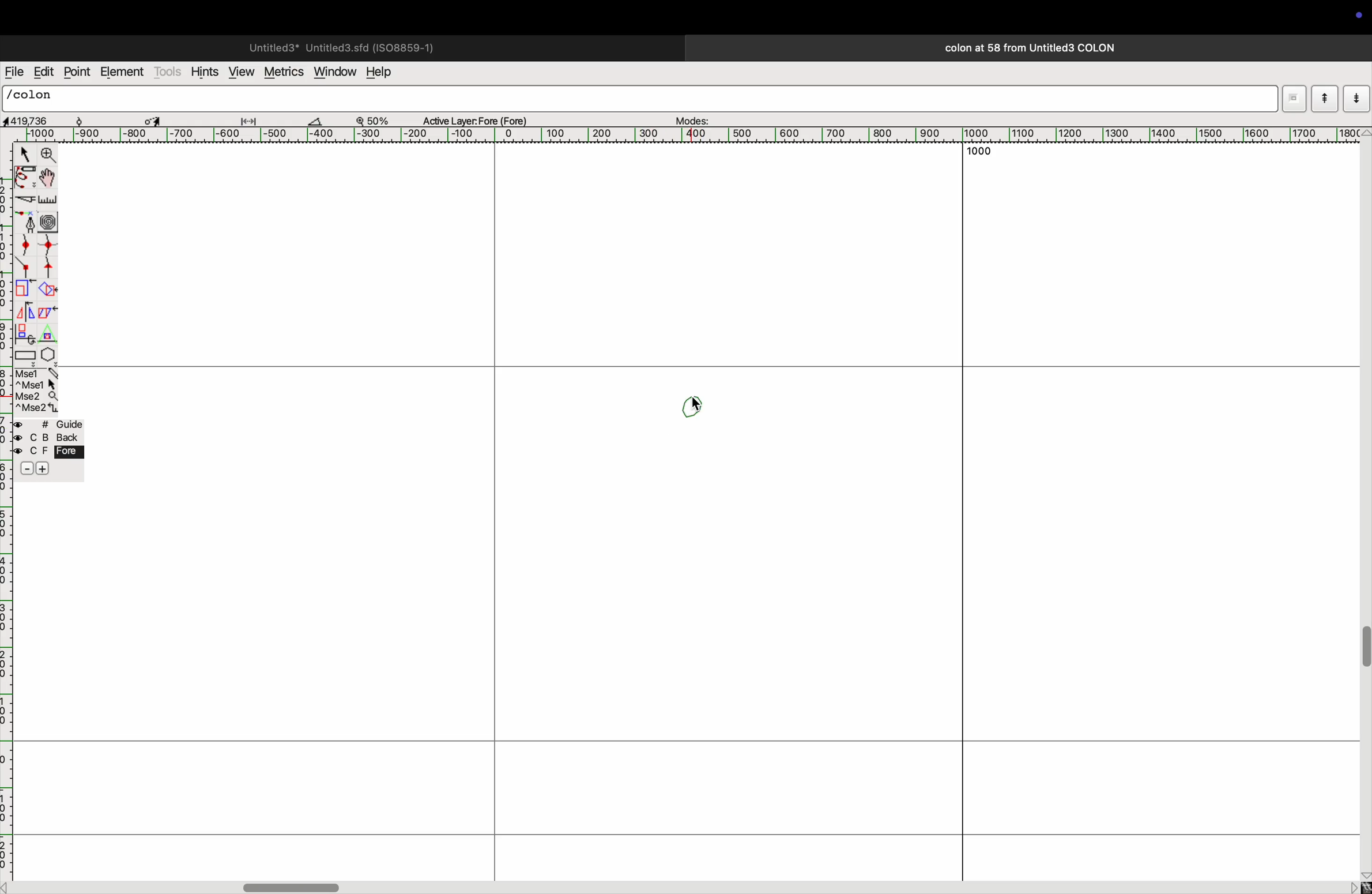  Describe the element at coordinates (48, 345) in the screenshot. I see `pentagon` at that location.